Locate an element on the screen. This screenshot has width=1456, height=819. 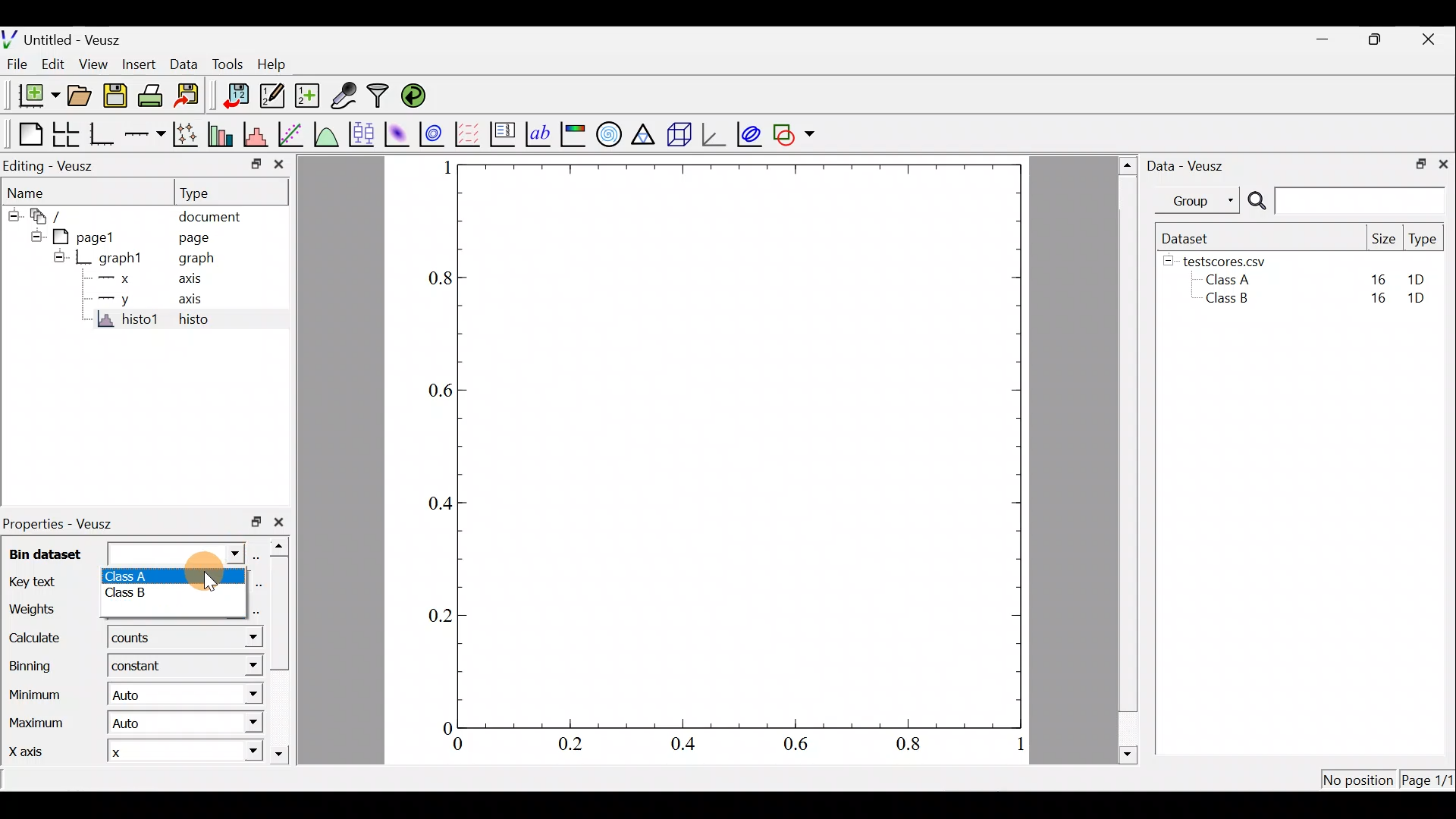
constant is located at coordinates (142, 667).